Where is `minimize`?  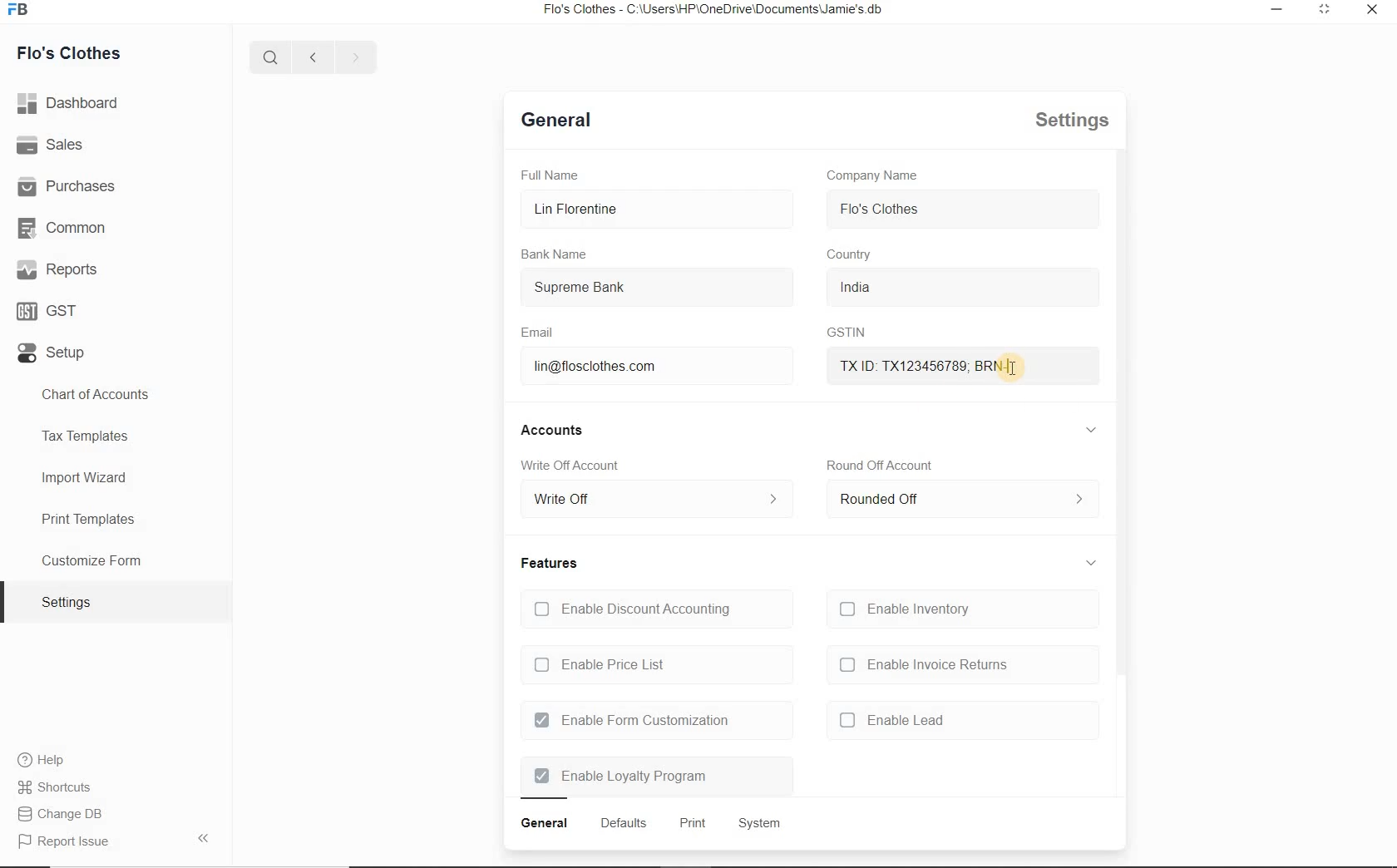 minimize is located at coordinates (1325, 12).